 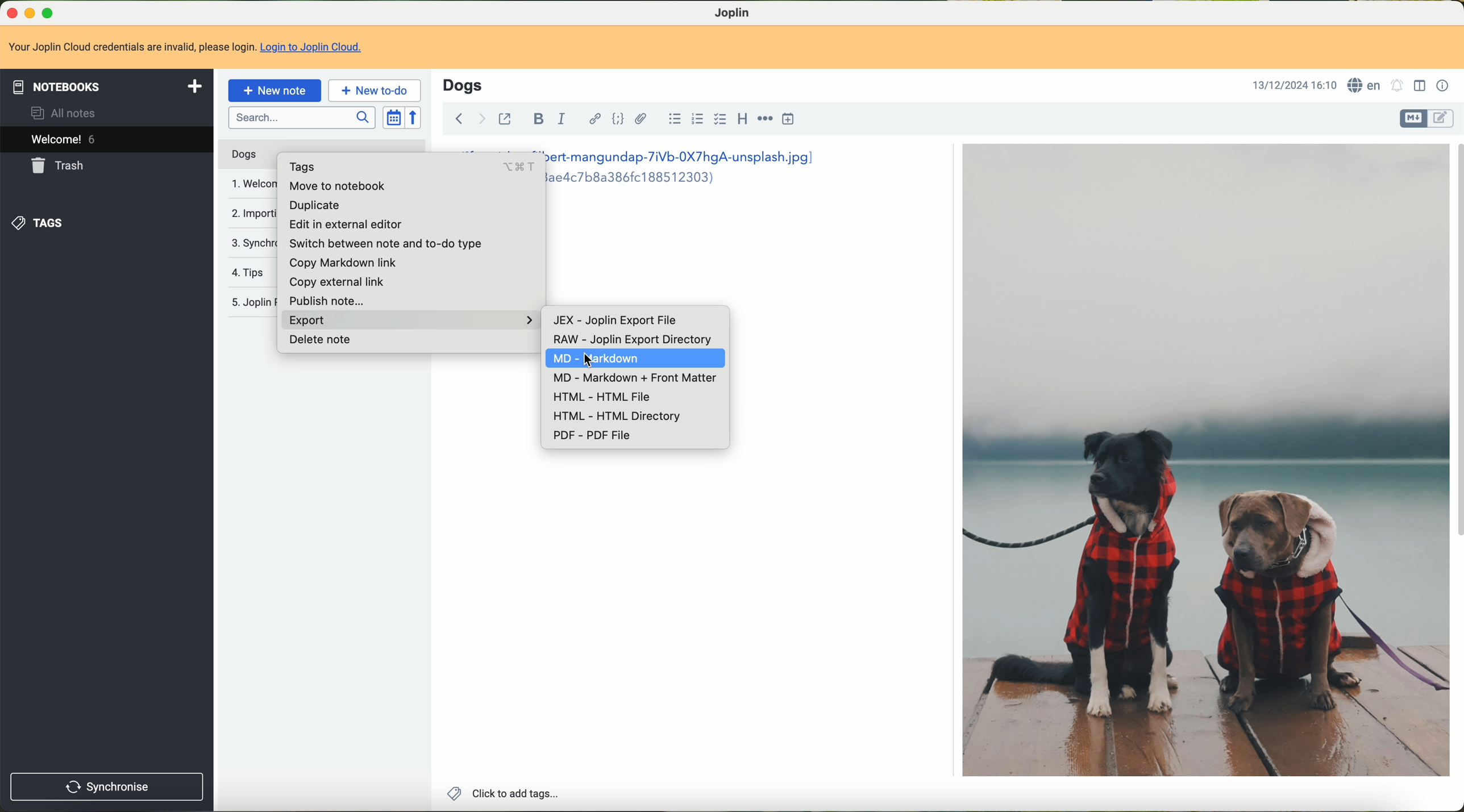 I want to click on ert-mangundap-7iVb-0X7hgA-unsplash.jpg]
1e4c7b8a386fc188512303), so click(x=693, y=169).